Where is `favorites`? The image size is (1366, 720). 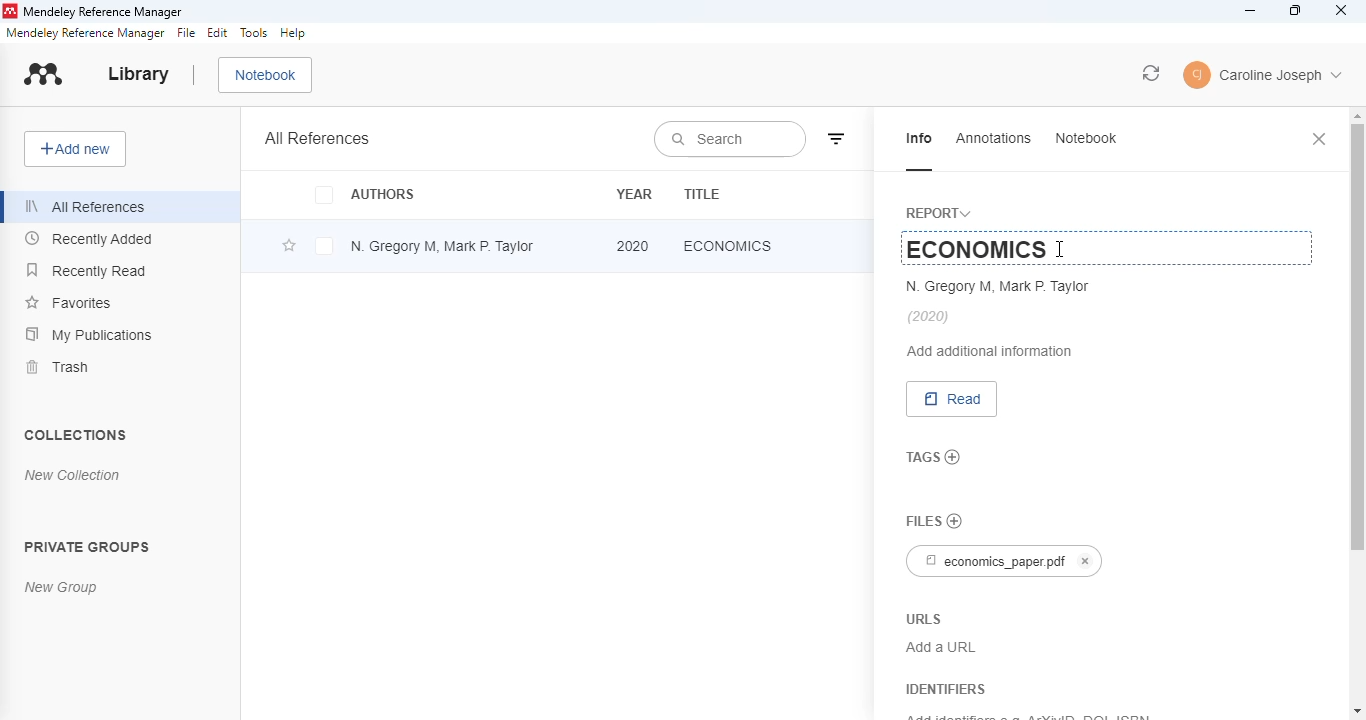 favorites is located at coordinates (69, 302).